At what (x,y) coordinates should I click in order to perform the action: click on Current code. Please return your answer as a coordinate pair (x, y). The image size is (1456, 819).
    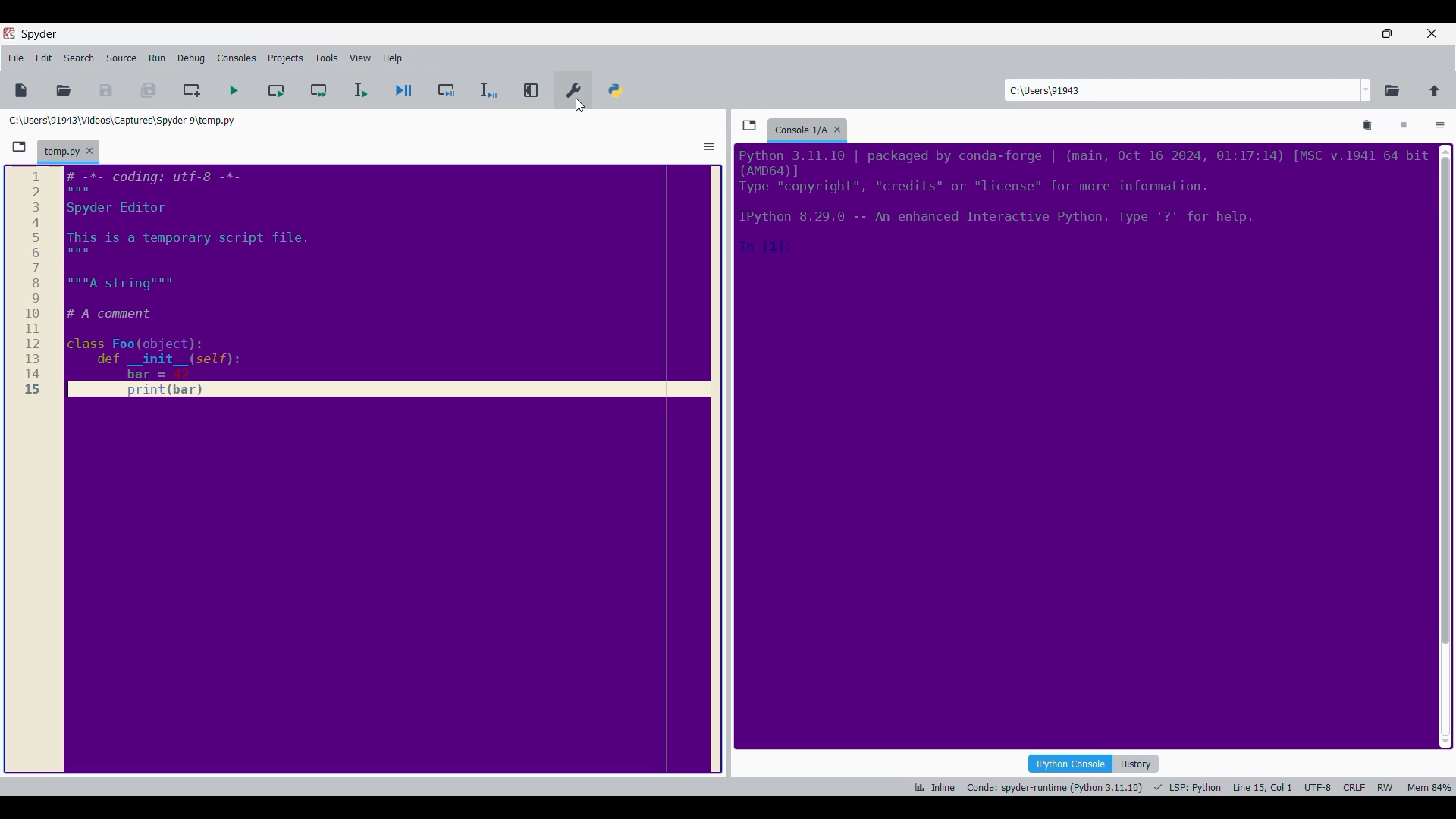
    Looking at the image, I should click on (362, 286).